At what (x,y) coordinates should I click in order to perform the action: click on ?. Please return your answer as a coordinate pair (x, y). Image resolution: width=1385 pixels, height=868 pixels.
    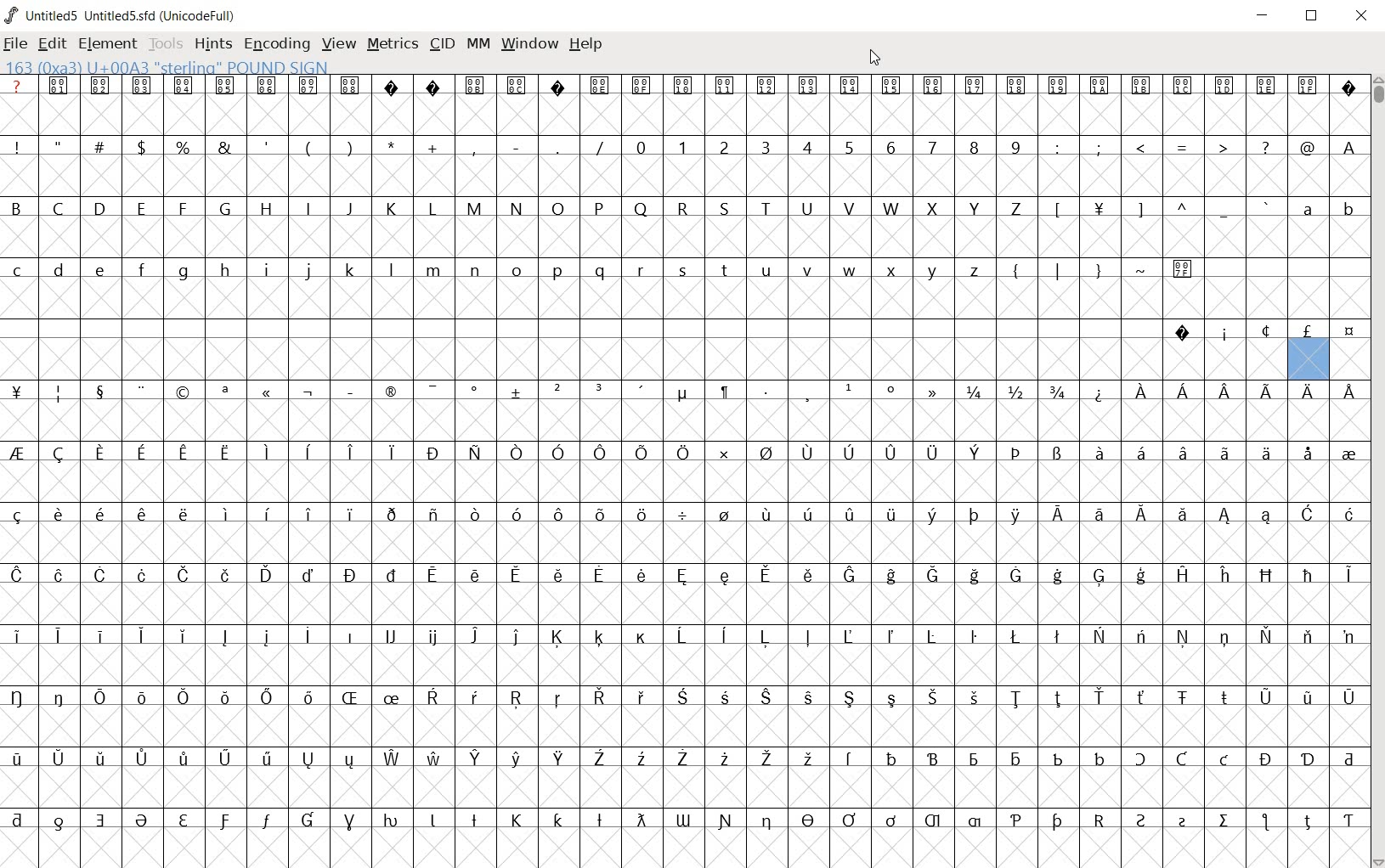
    Looking at the image, I should click on (1264, 148).